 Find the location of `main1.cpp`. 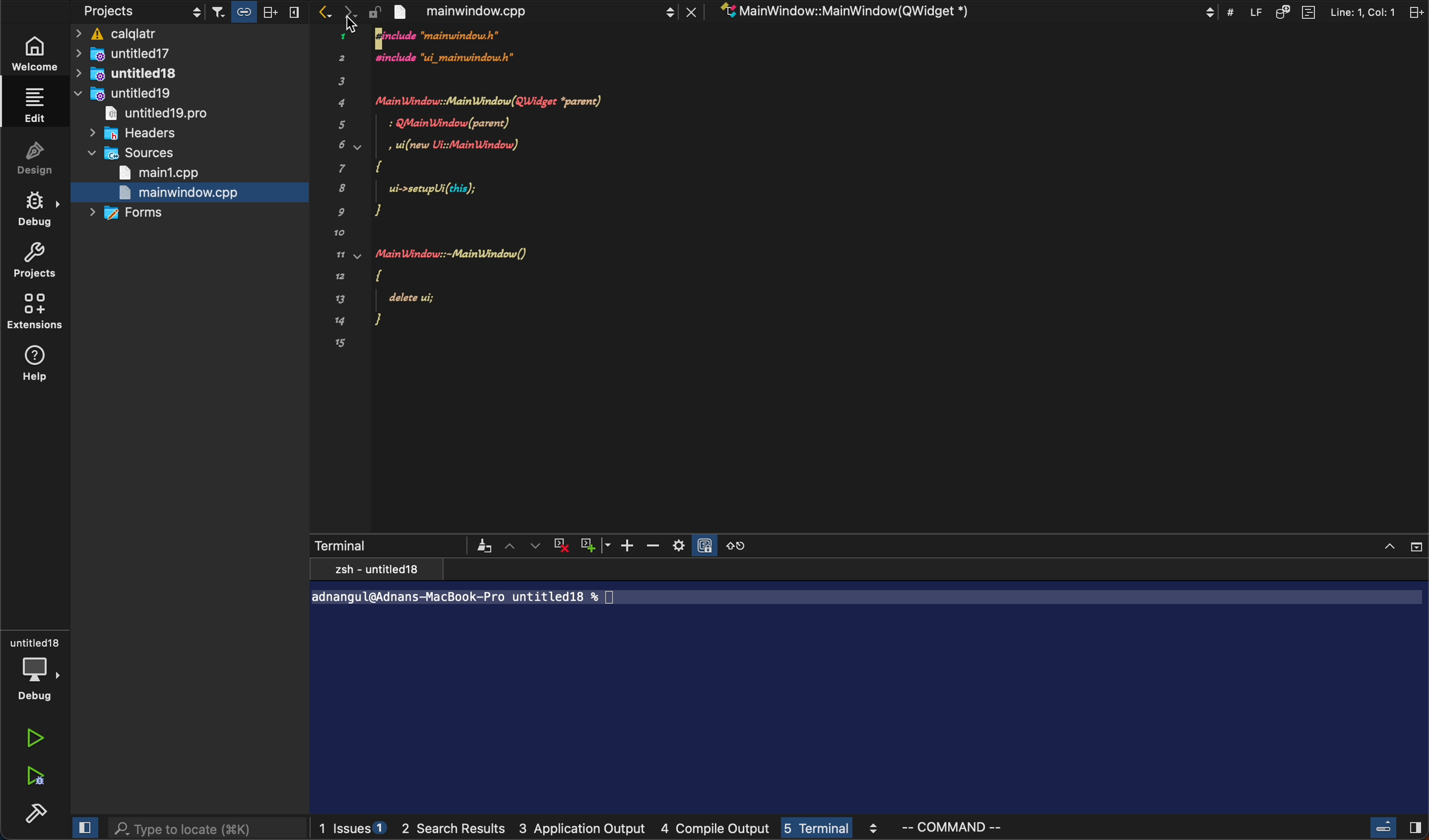

main1.cpp is located at coordinates (163, 173).